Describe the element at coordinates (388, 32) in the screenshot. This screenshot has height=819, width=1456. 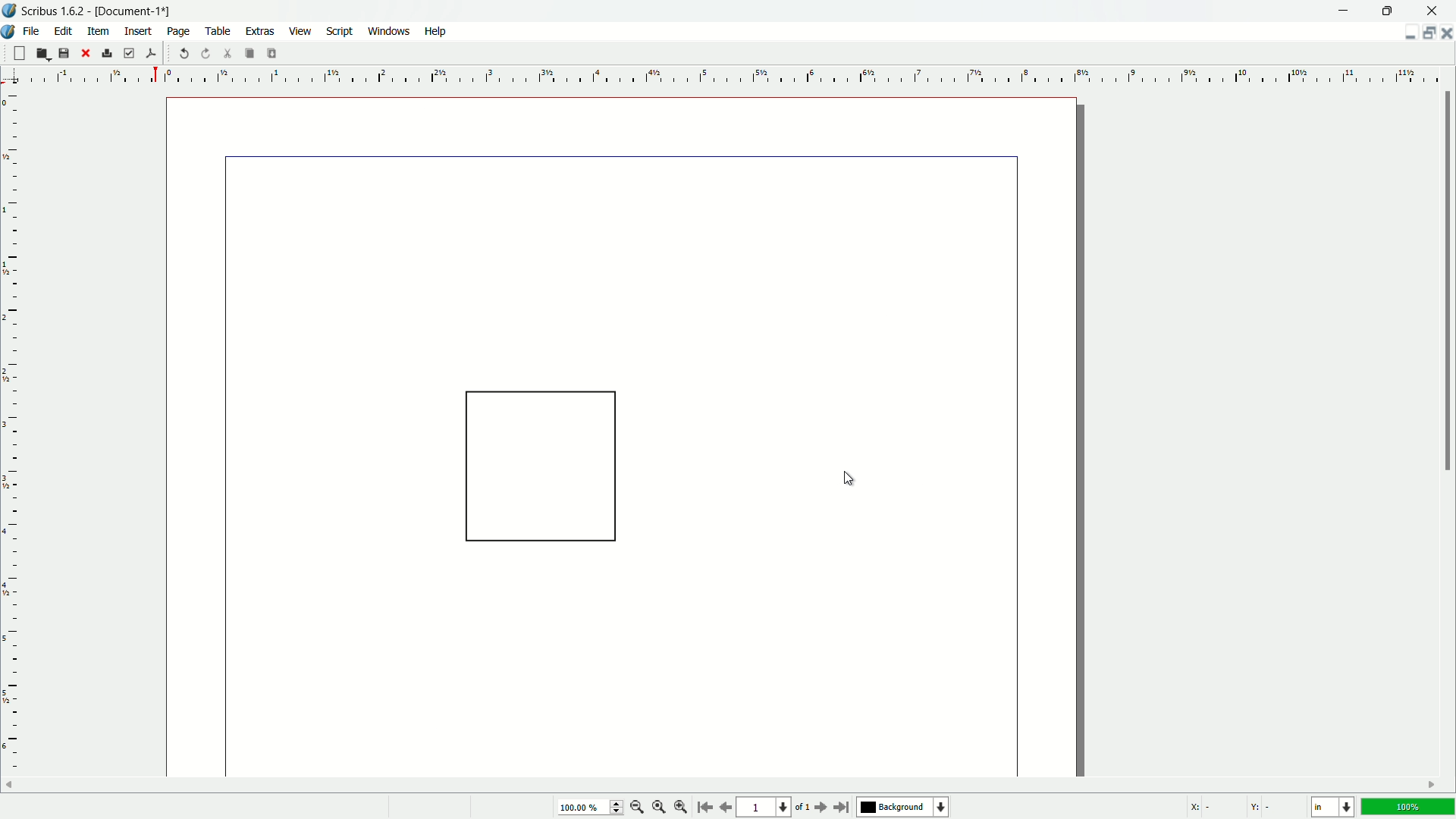
I see `windows menu` at that location.